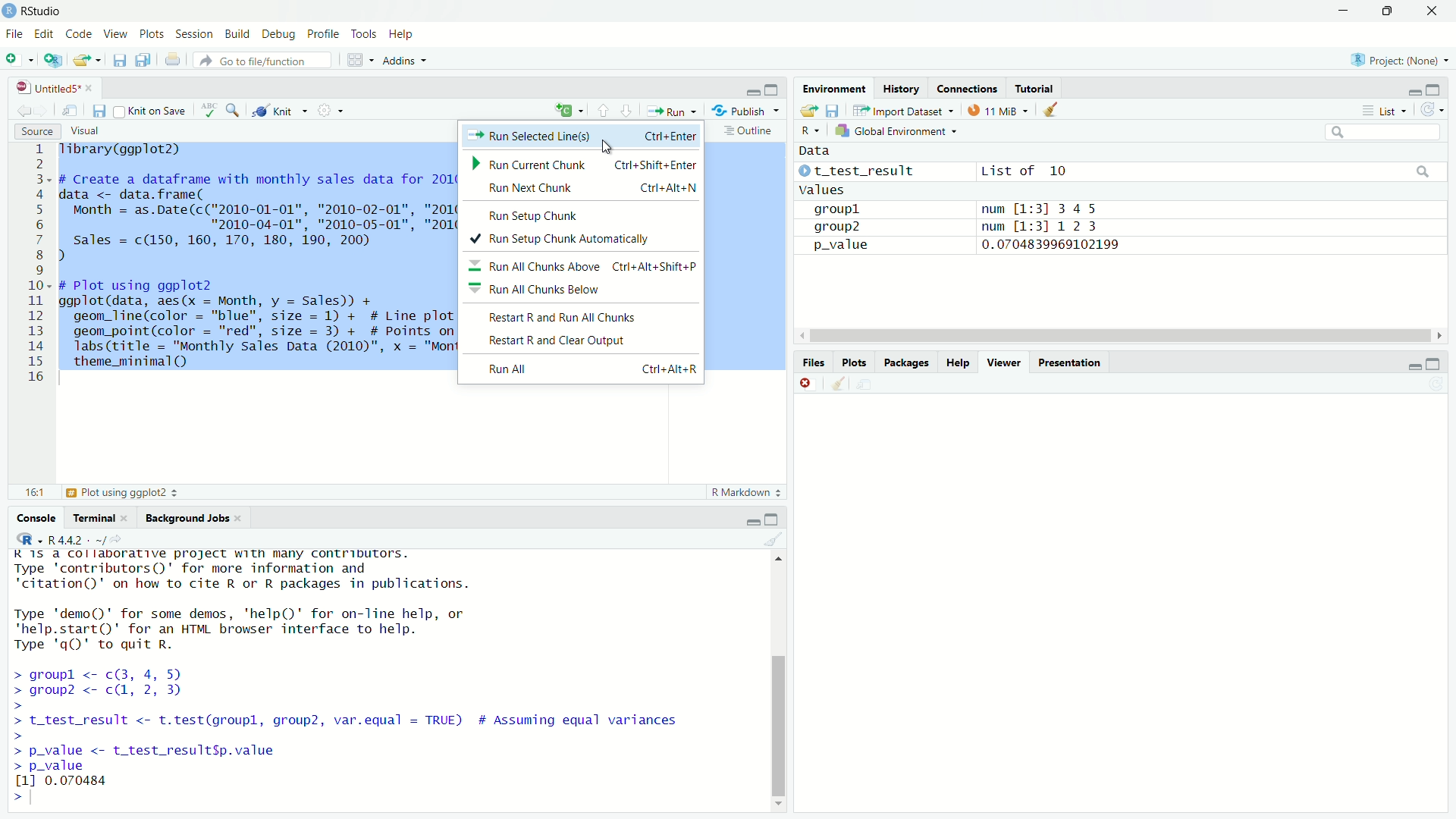  I want to click on Plots, so click(152, 33).